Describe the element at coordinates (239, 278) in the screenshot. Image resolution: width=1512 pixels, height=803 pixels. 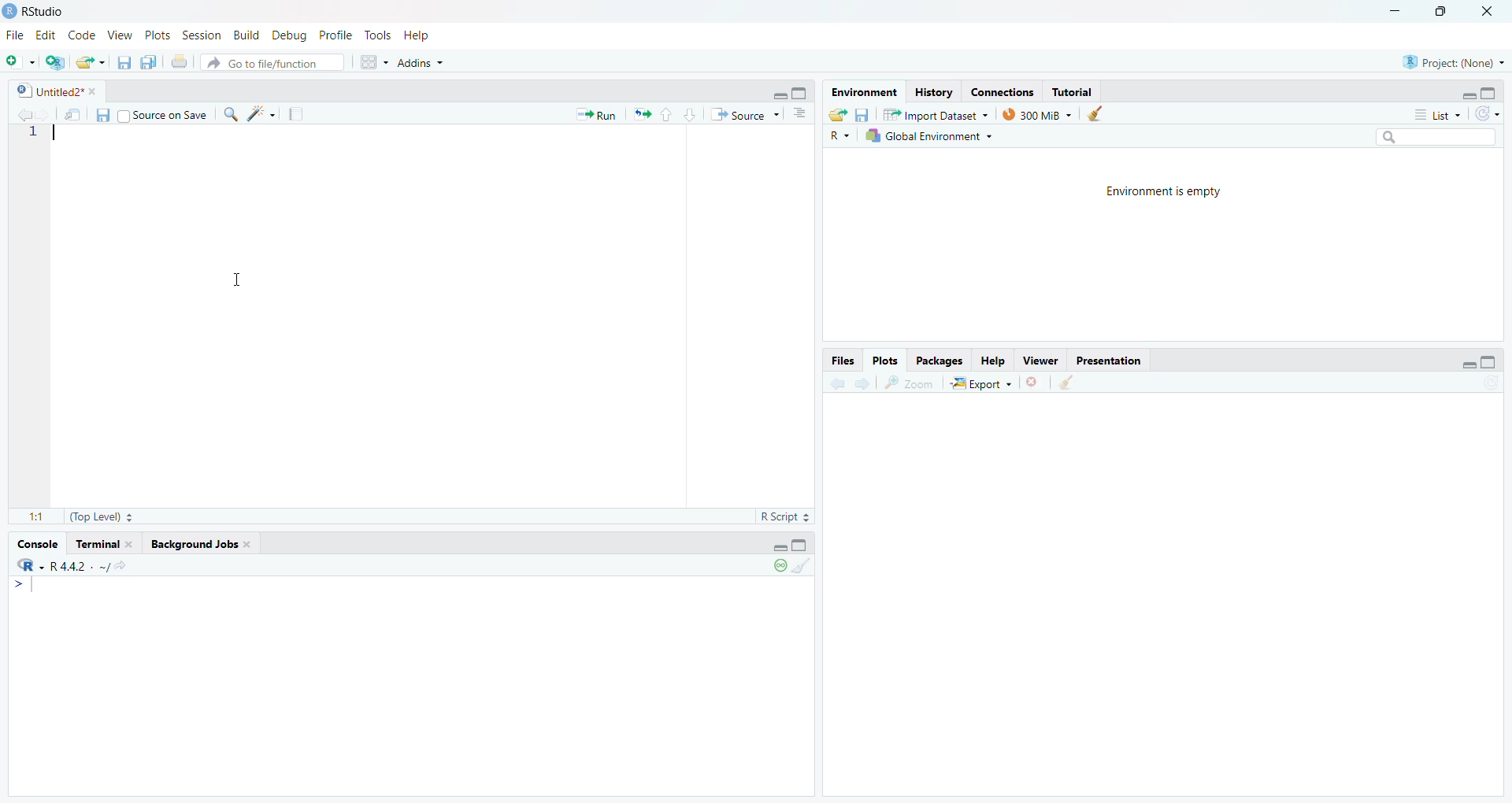
I see `cursor` at that location.